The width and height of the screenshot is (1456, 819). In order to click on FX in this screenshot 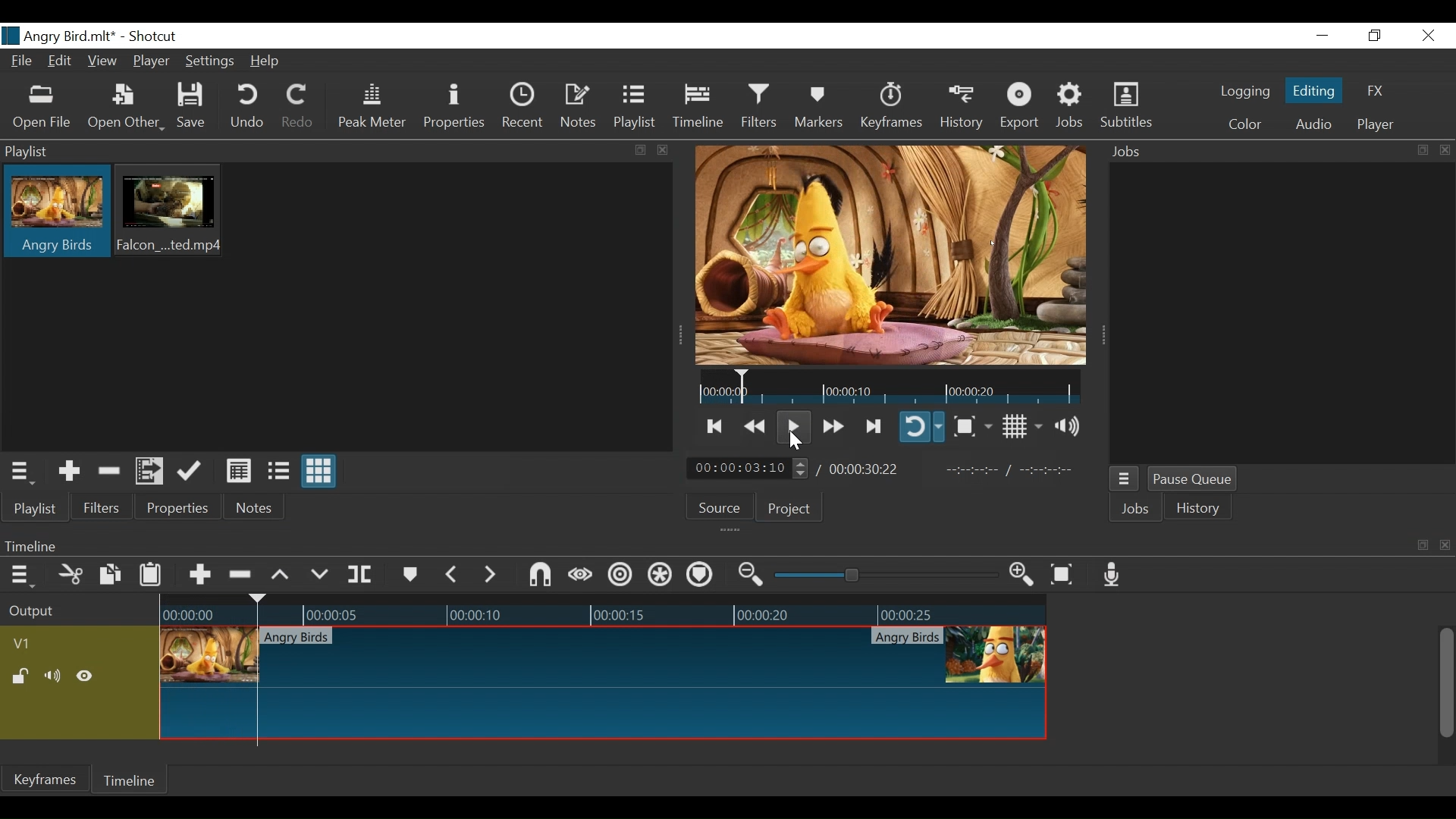, I will do `click(1375, 90)`.